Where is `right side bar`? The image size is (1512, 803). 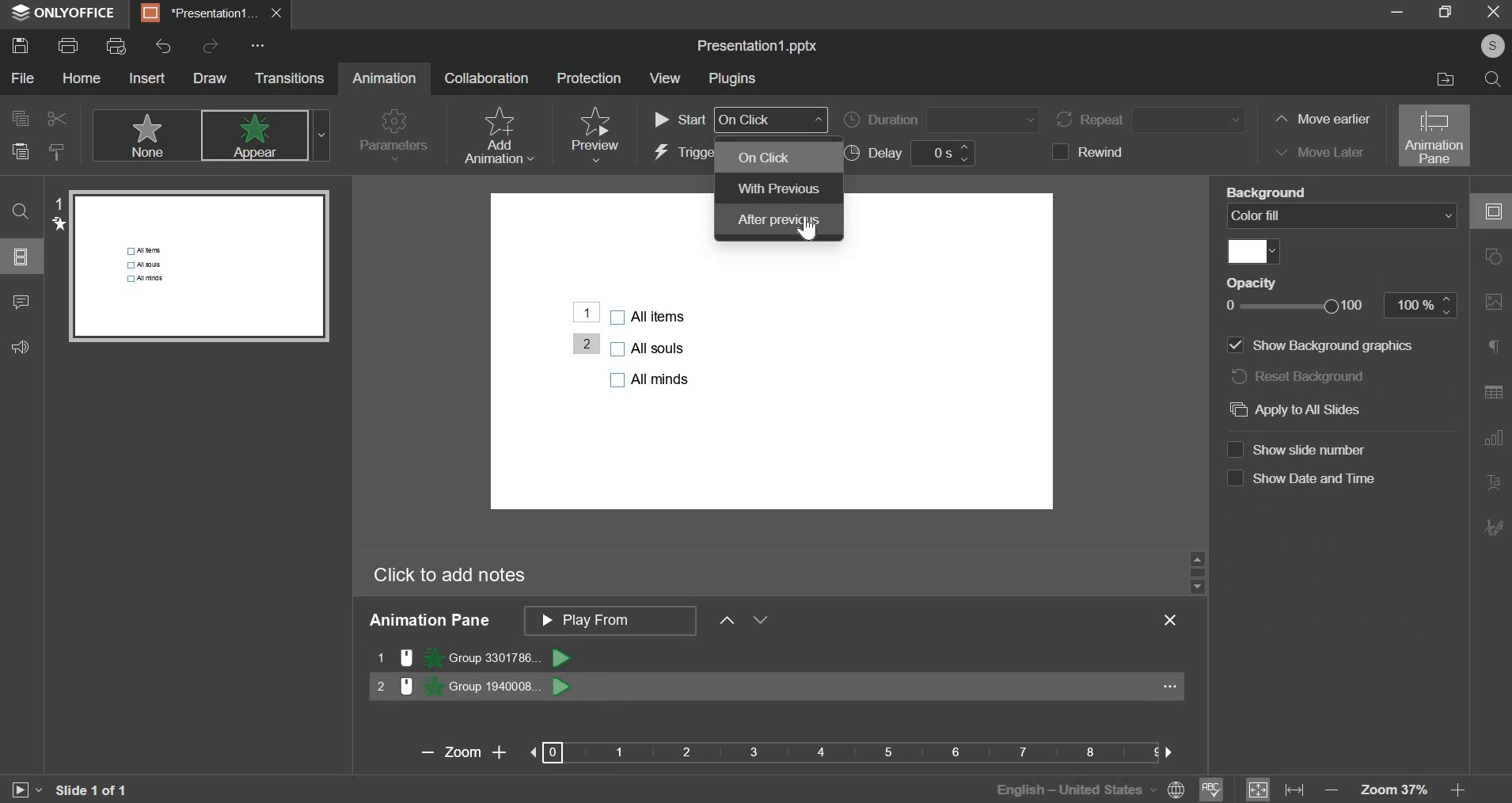 right side bar is located at coordinates (1493, 370).